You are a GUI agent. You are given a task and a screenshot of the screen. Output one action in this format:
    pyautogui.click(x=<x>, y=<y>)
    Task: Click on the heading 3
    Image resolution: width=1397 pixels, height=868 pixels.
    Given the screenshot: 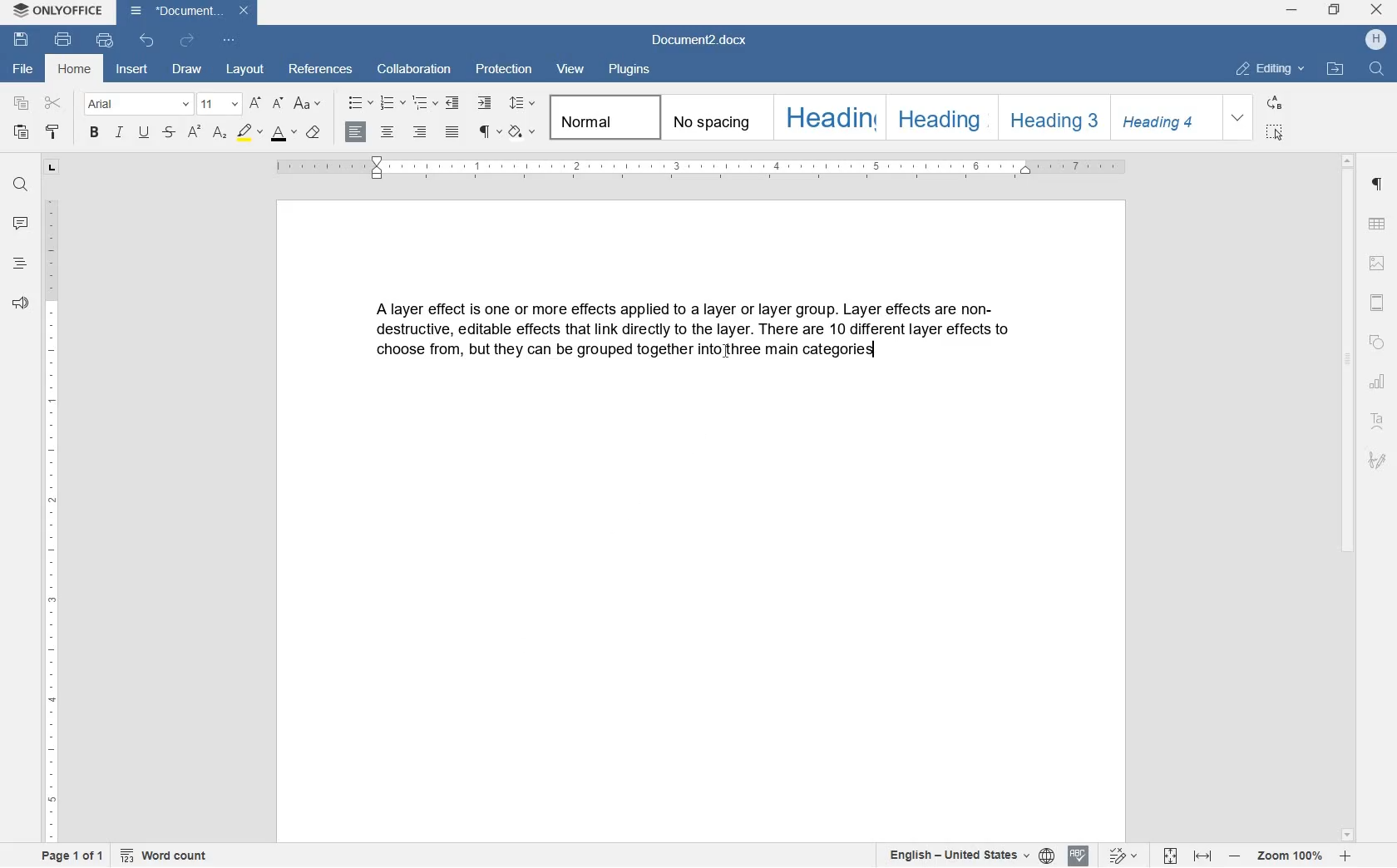 What is the action you would take?
    pyautogui.click(x=1049, y=116)
    